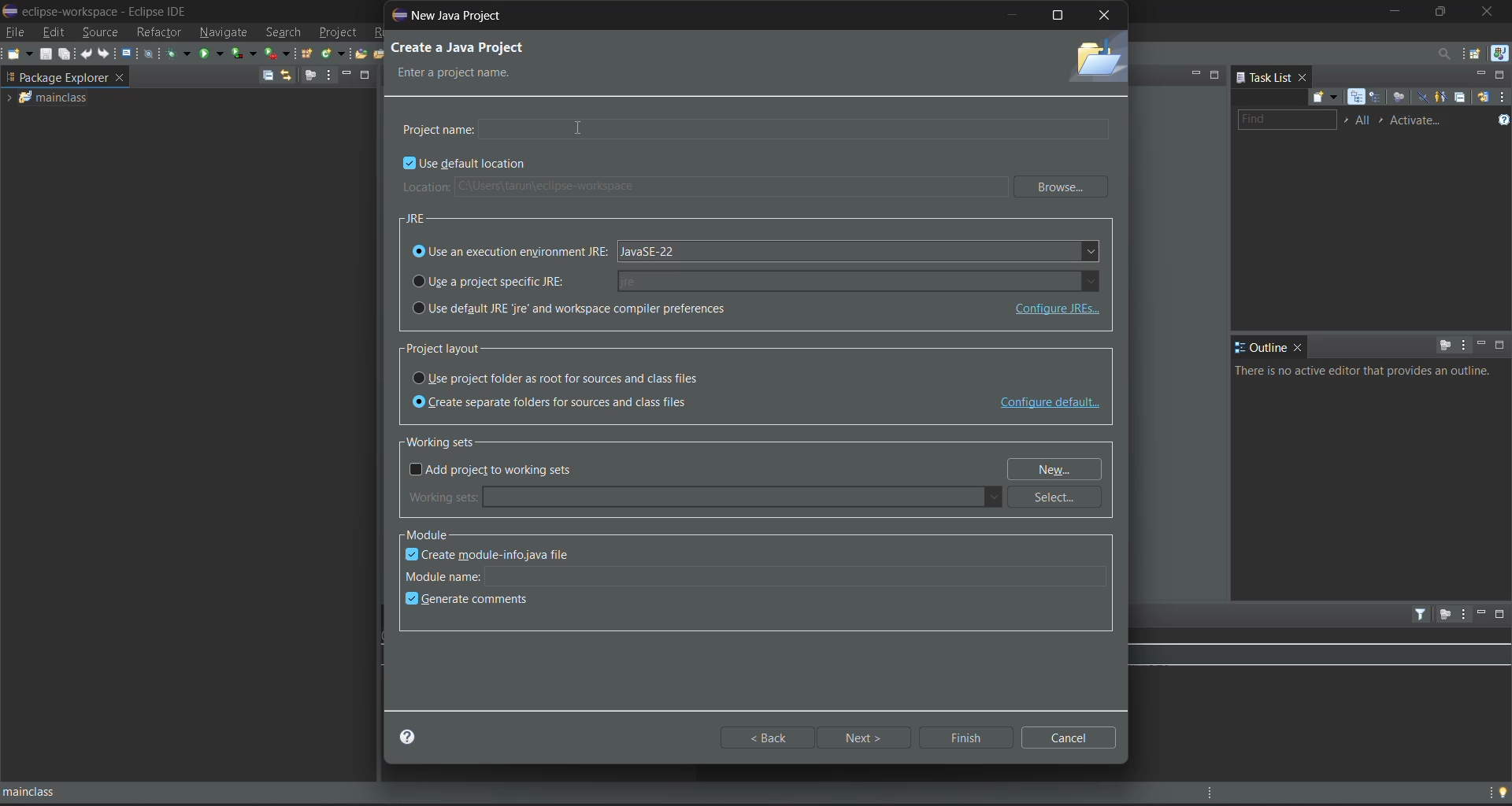  What do you see at coordinates (20, 54) in the screenshot?
I see `new` at bounding box center [20, 54].